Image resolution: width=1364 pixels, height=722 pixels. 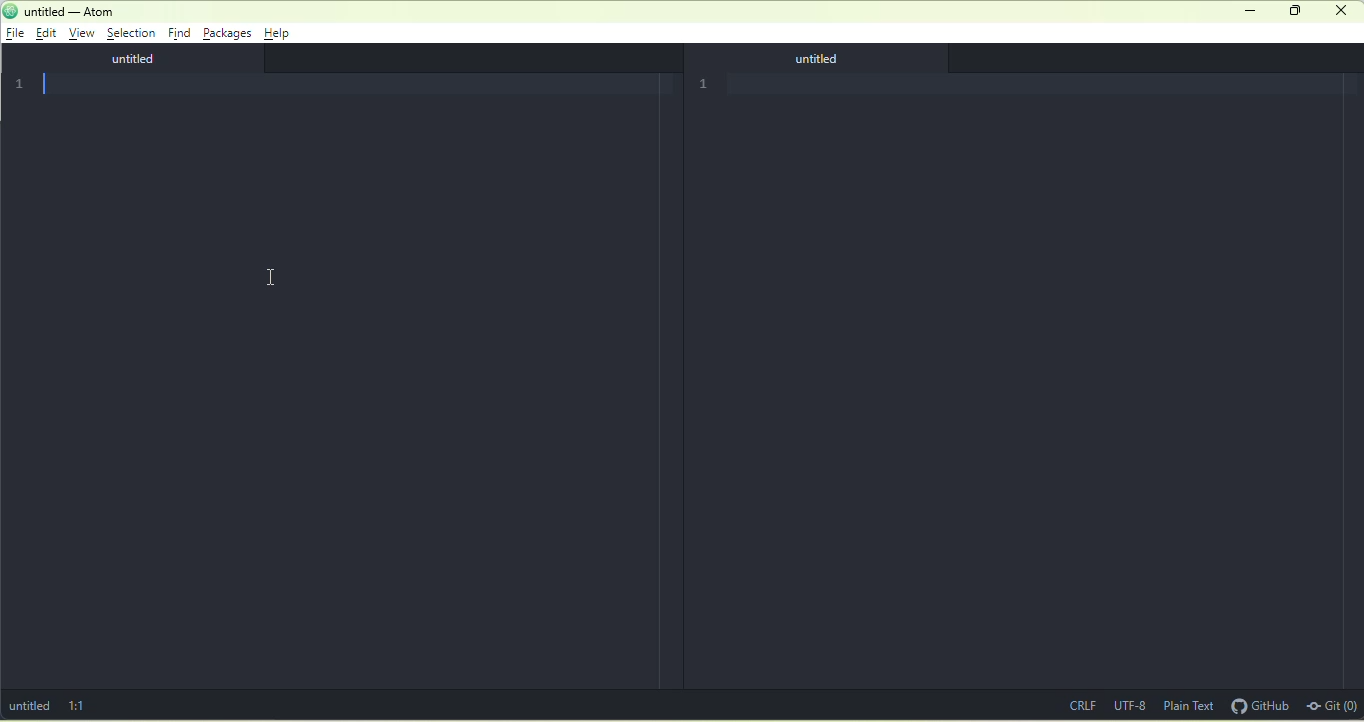 I want to click on close, so click(x=1343, y=12).